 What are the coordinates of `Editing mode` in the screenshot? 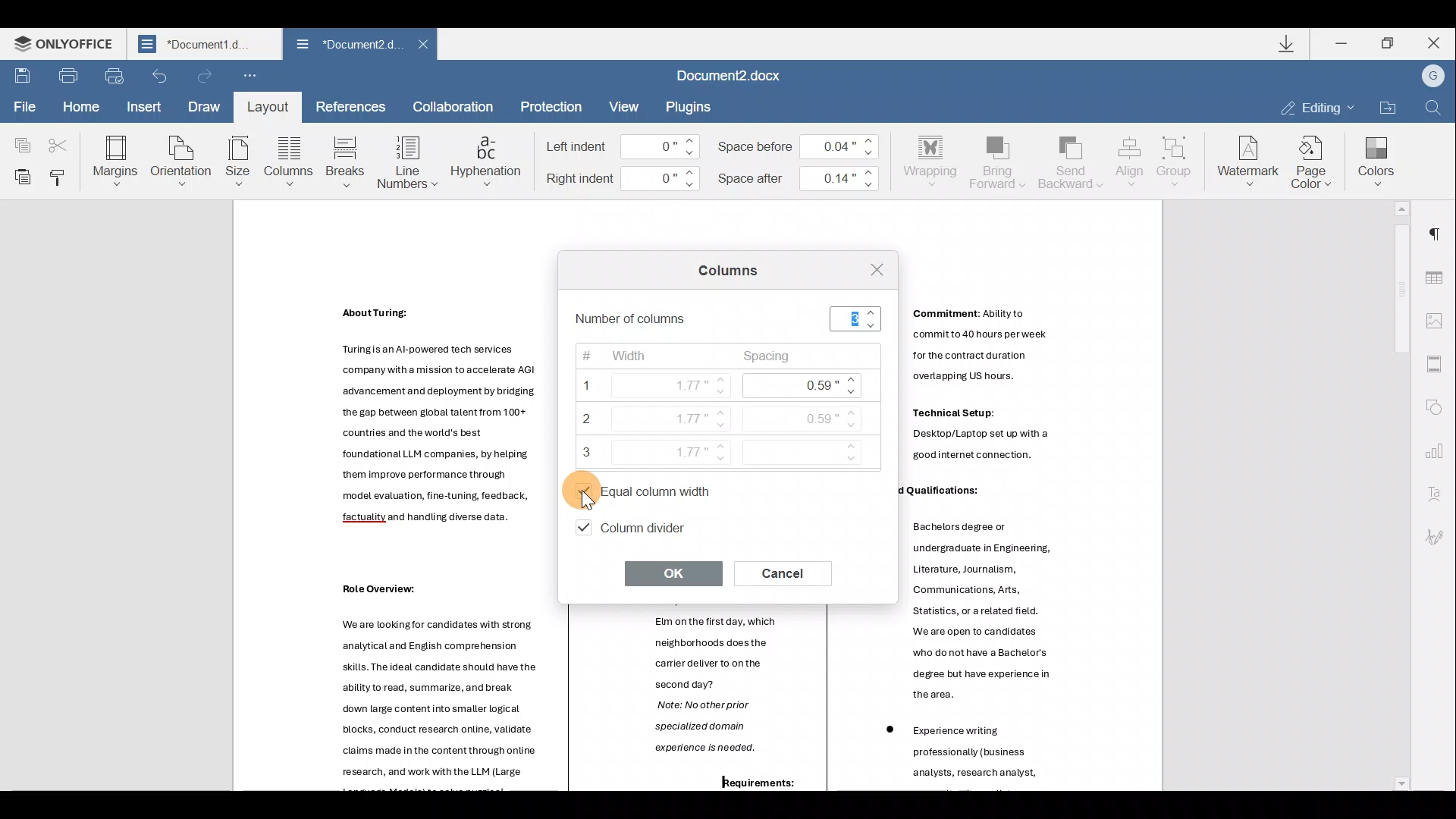 It's located at (1316, 106).